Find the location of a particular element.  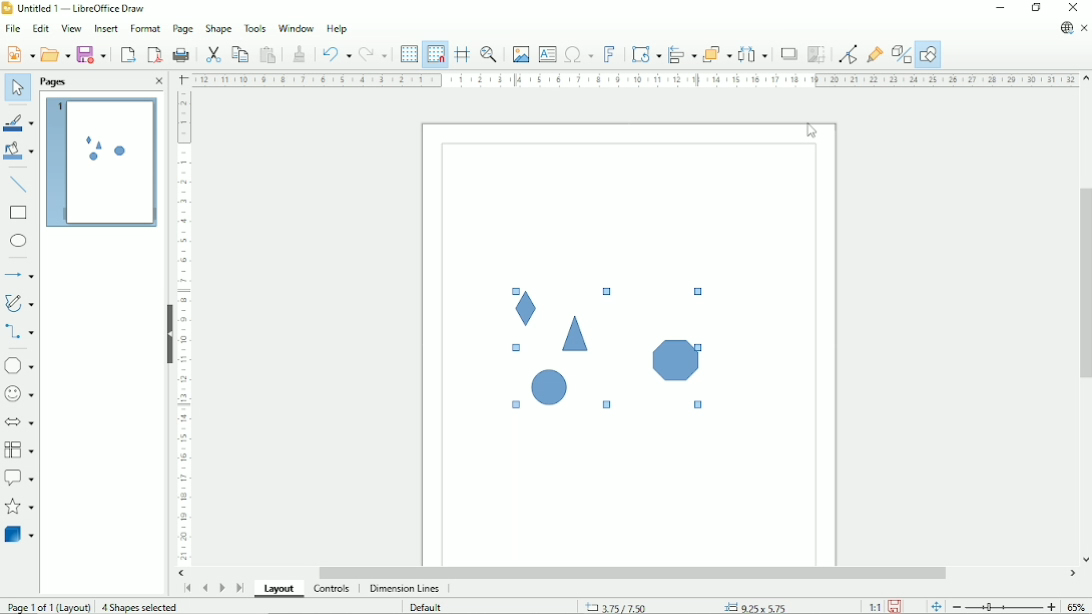

Fit page to the current window is located at coordinates (934, 605).